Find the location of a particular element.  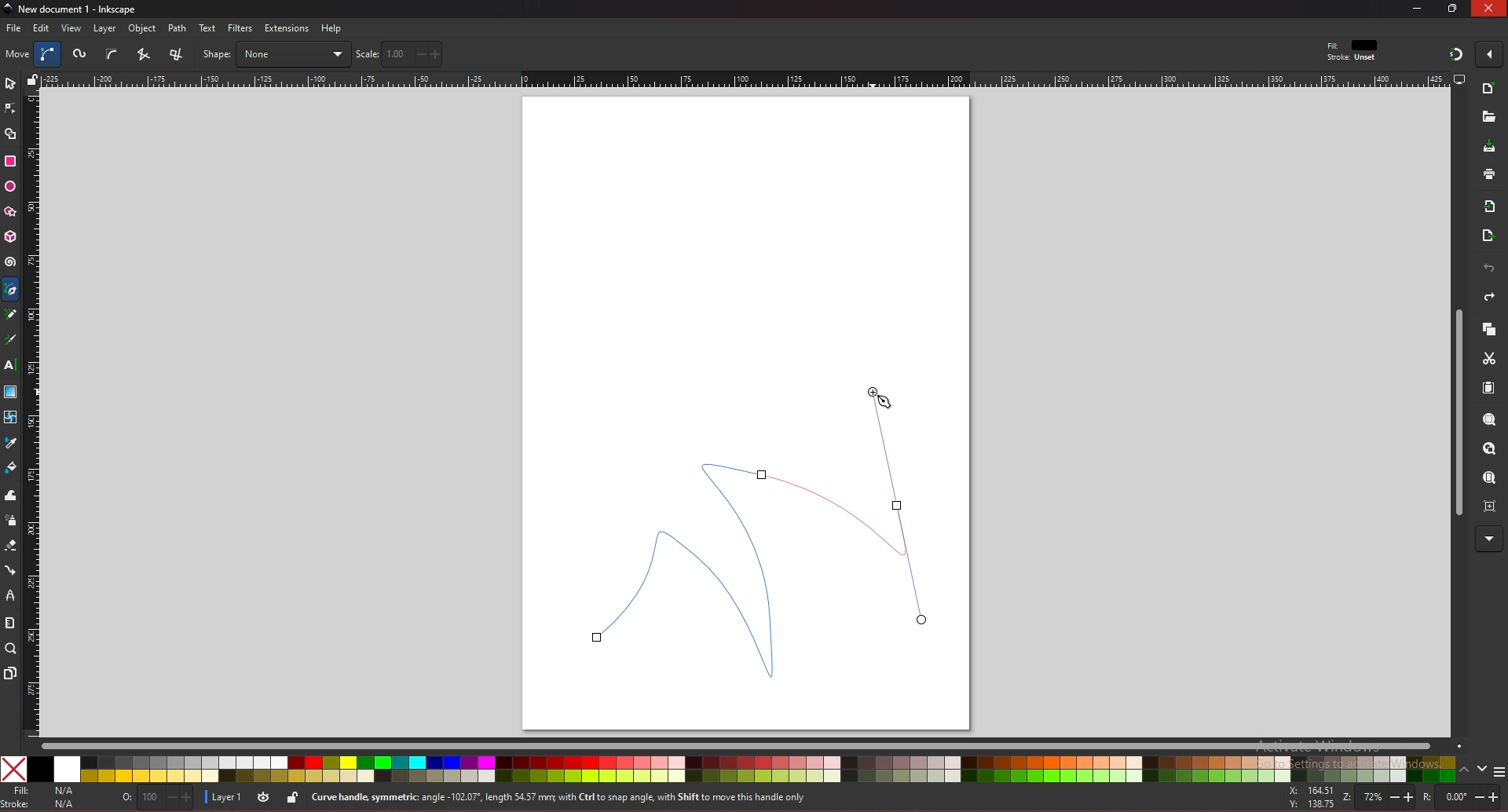

zoom is located at coordinates (11, 648).